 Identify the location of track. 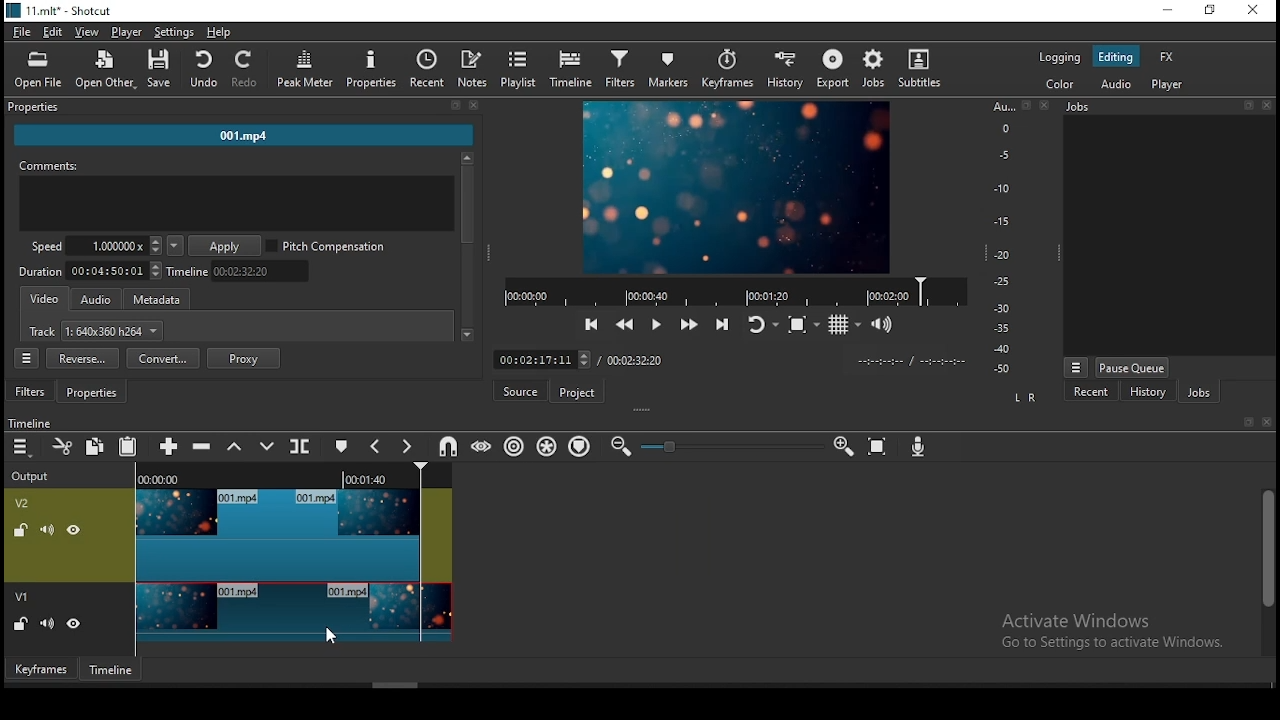
(97, 333).